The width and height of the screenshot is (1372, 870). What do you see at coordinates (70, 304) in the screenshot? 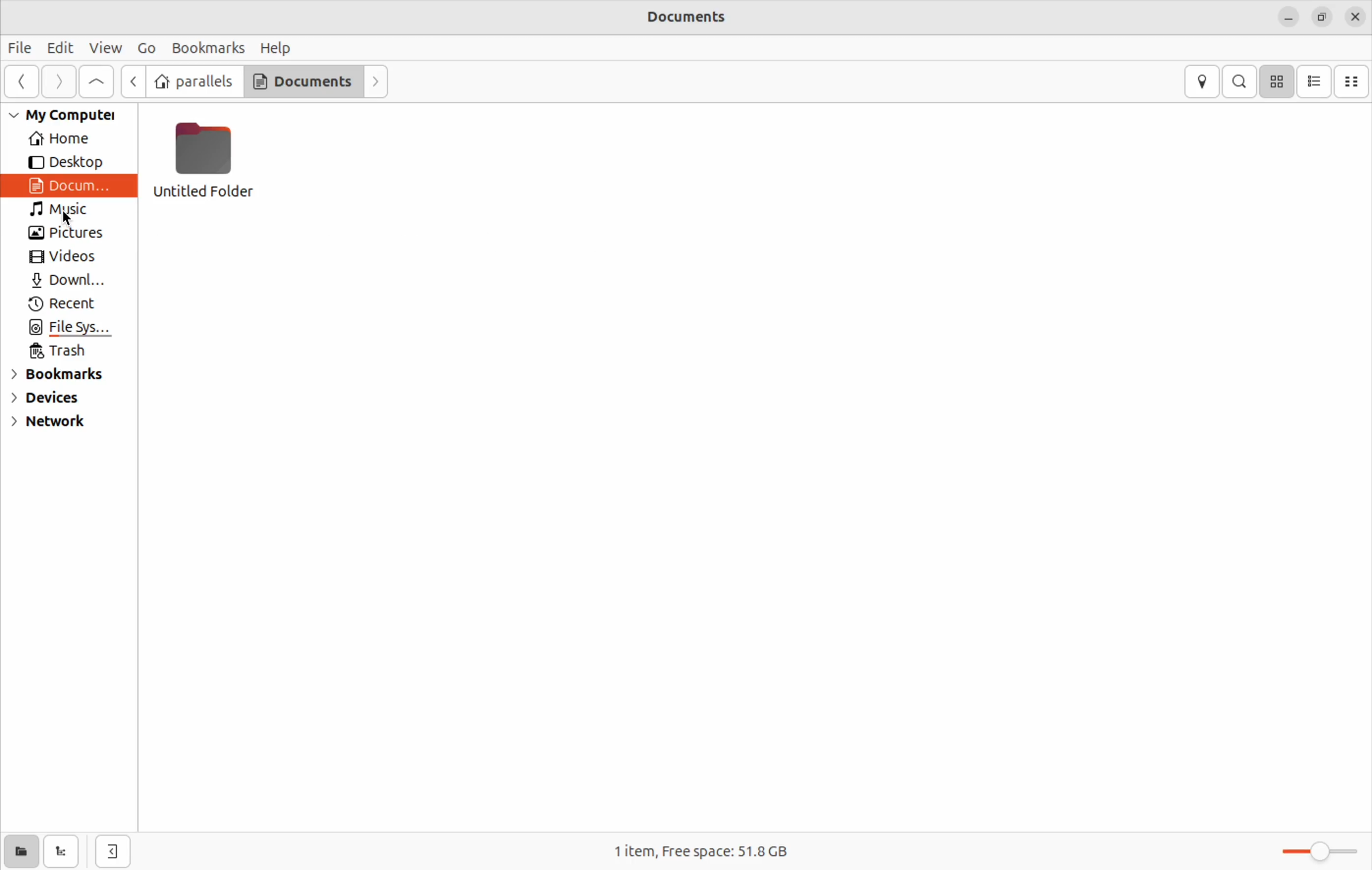
I see `Recent` at bounding box center [70, 304].